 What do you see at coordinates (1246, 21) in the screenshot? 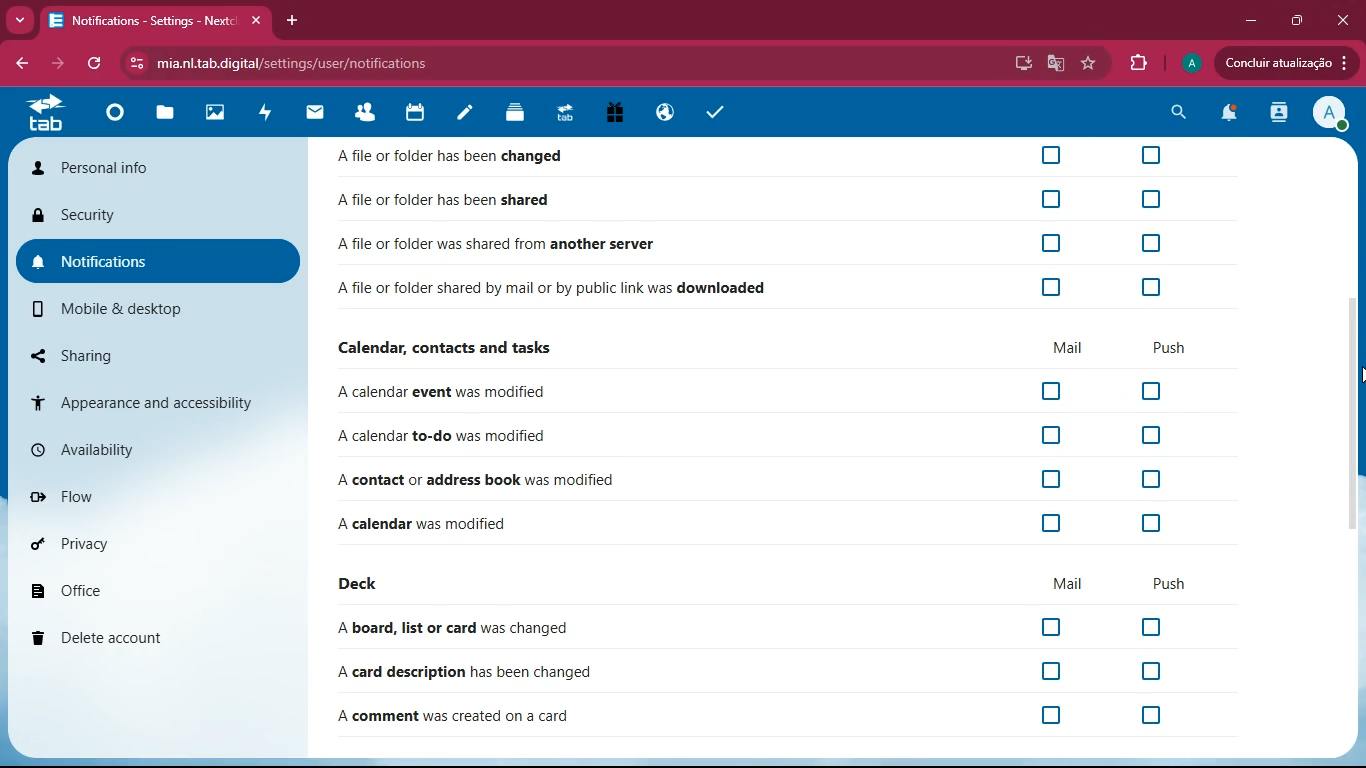
I see `minimize` at bounding box center [1246, 21].